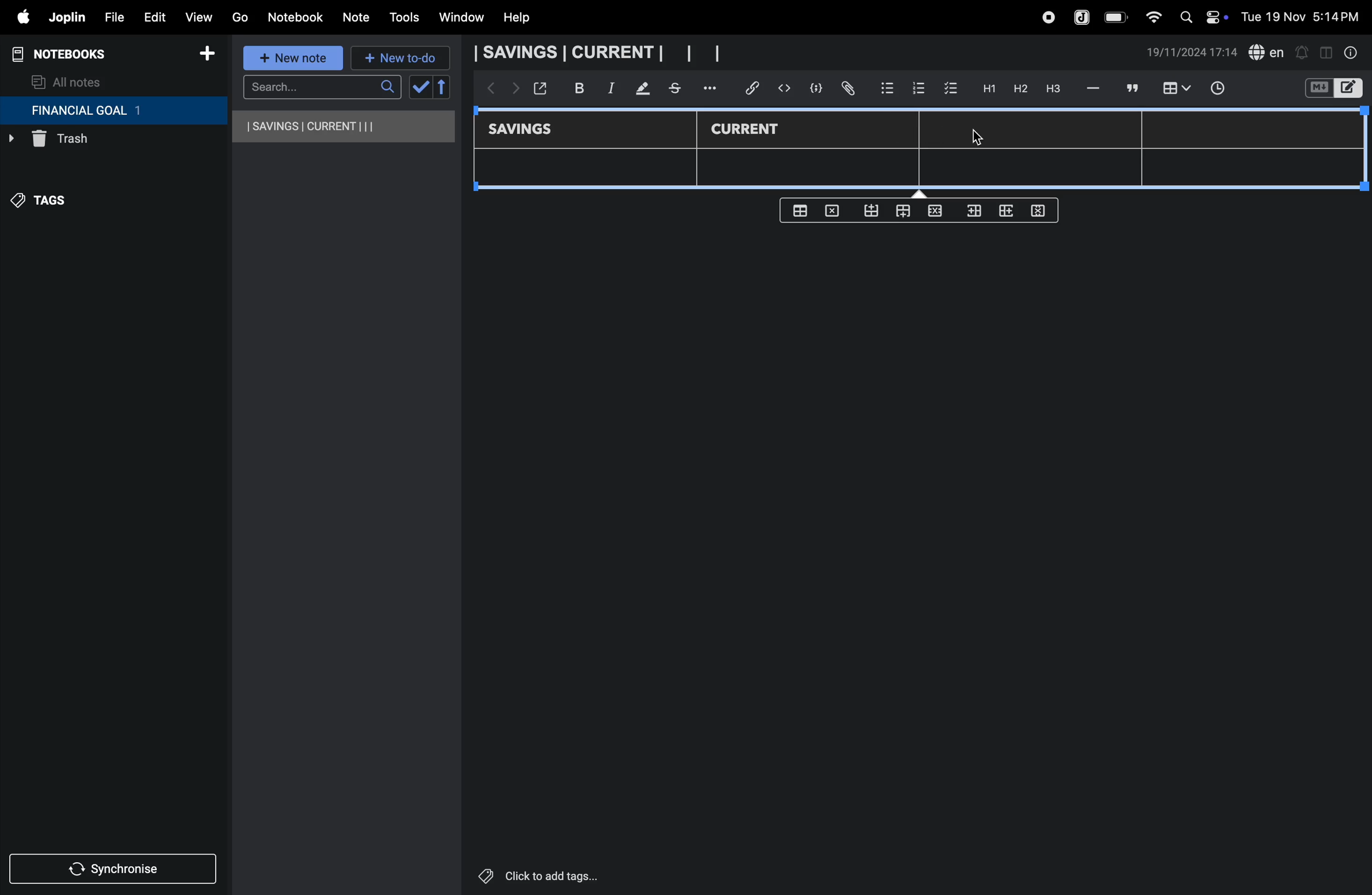 The height and width of the screenshot is (895, 1372). I want to click on mark, so click(638, 89).